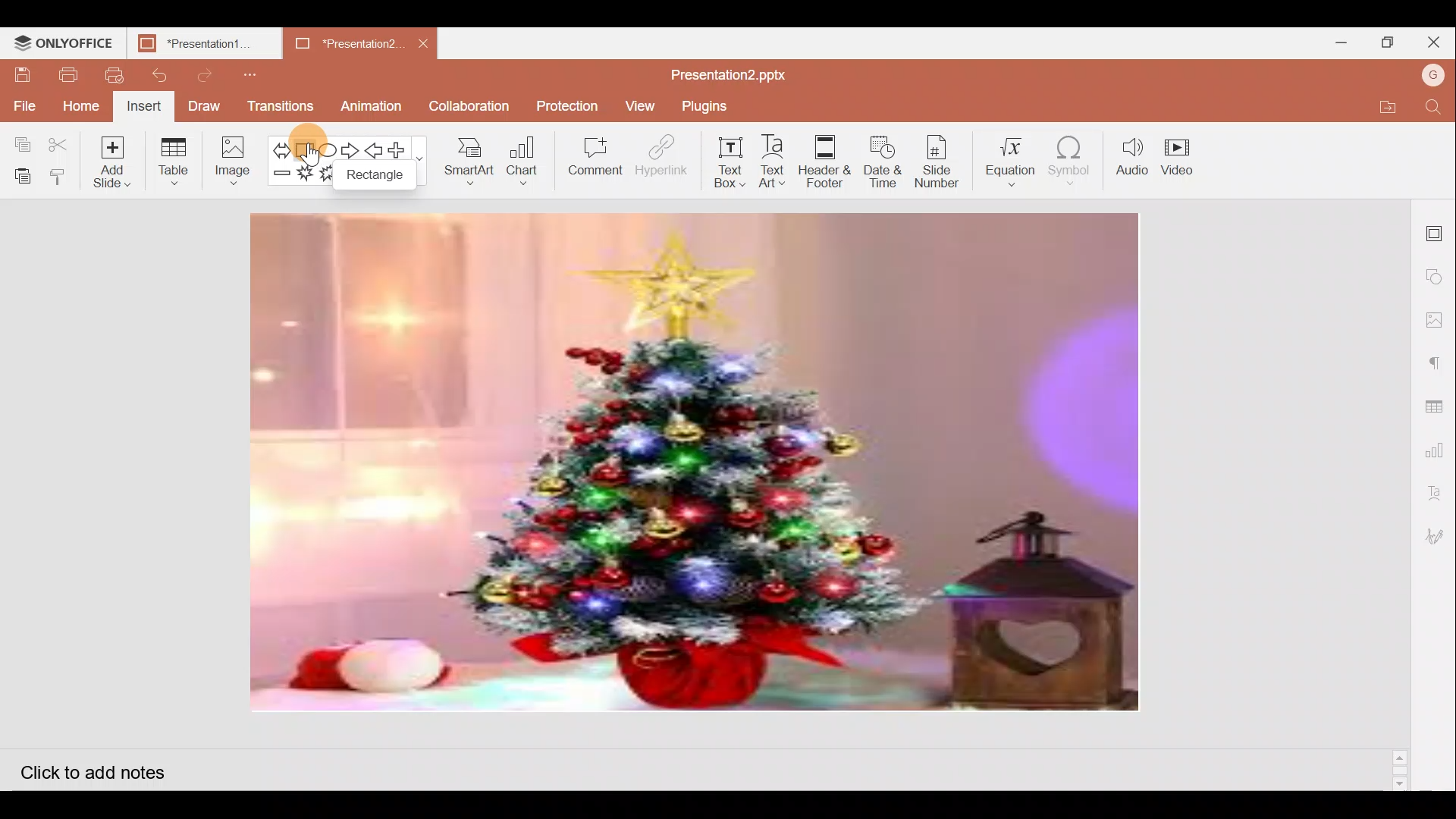  What do you see at coordinates (61, 176) in the screenshot?
I see `Copy style` at bounding box center [61, 176].